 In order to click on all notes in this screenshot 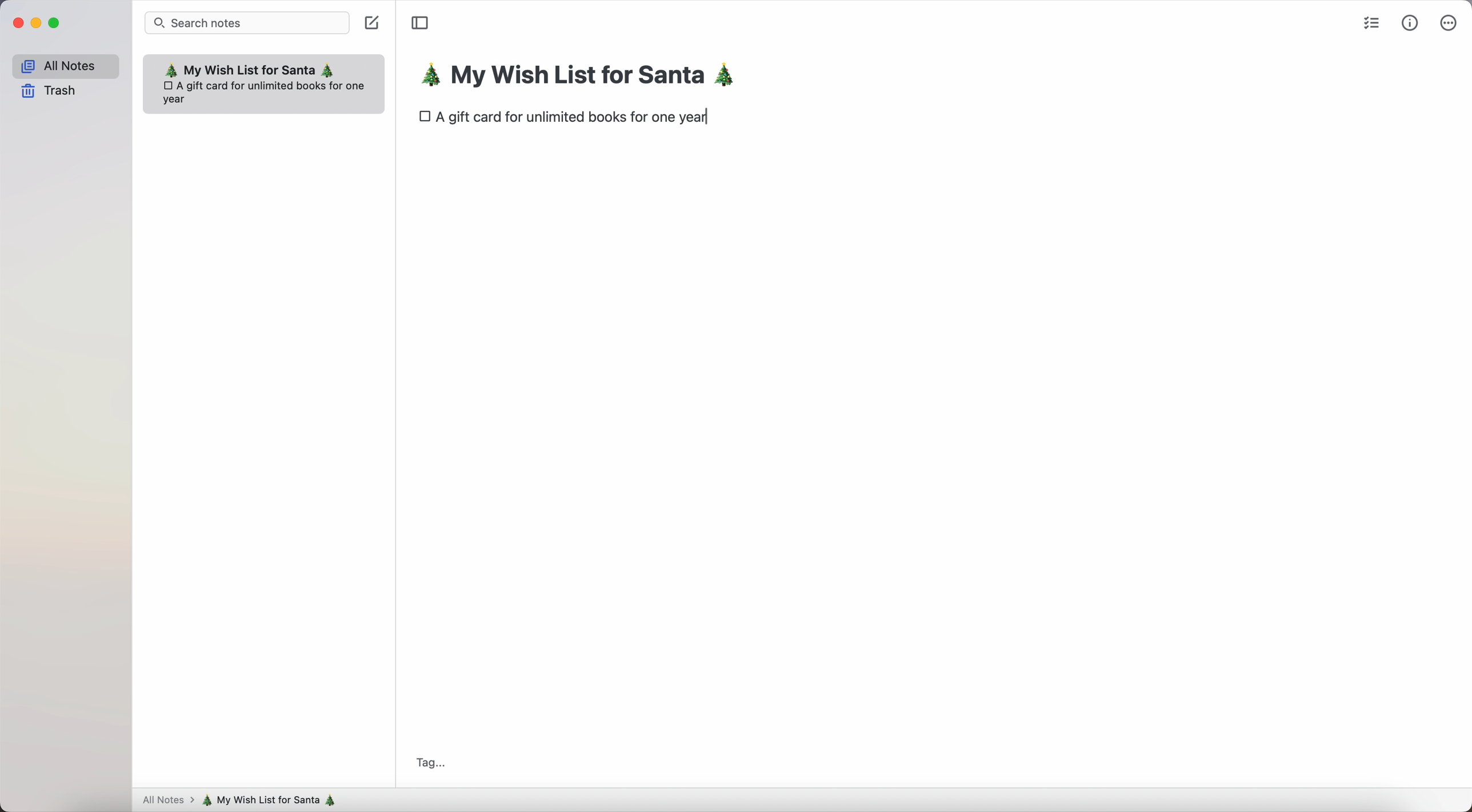, I will do `click(65, 64)`.